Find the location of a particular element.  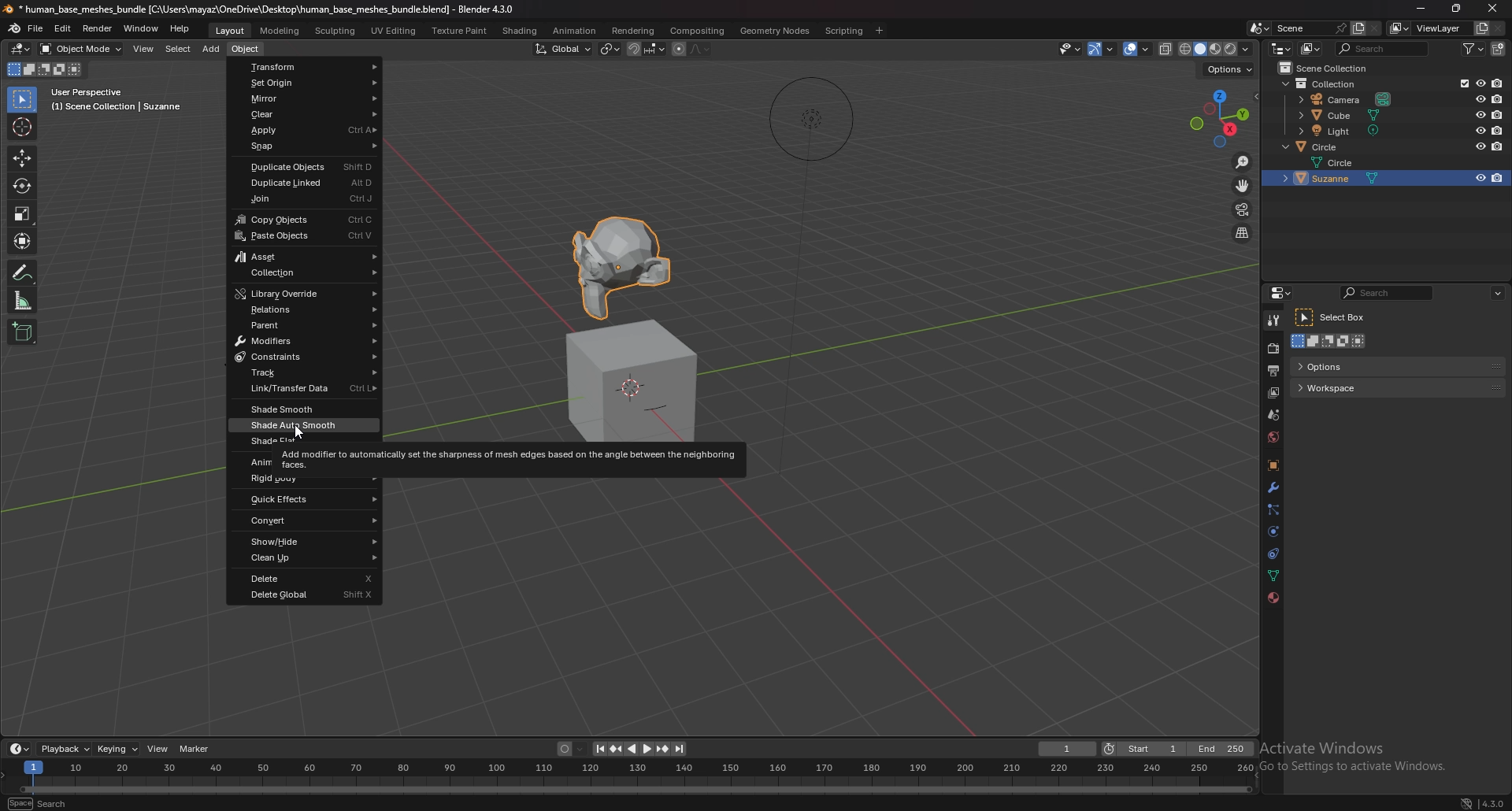

cube is located at coordinates (634, 382).